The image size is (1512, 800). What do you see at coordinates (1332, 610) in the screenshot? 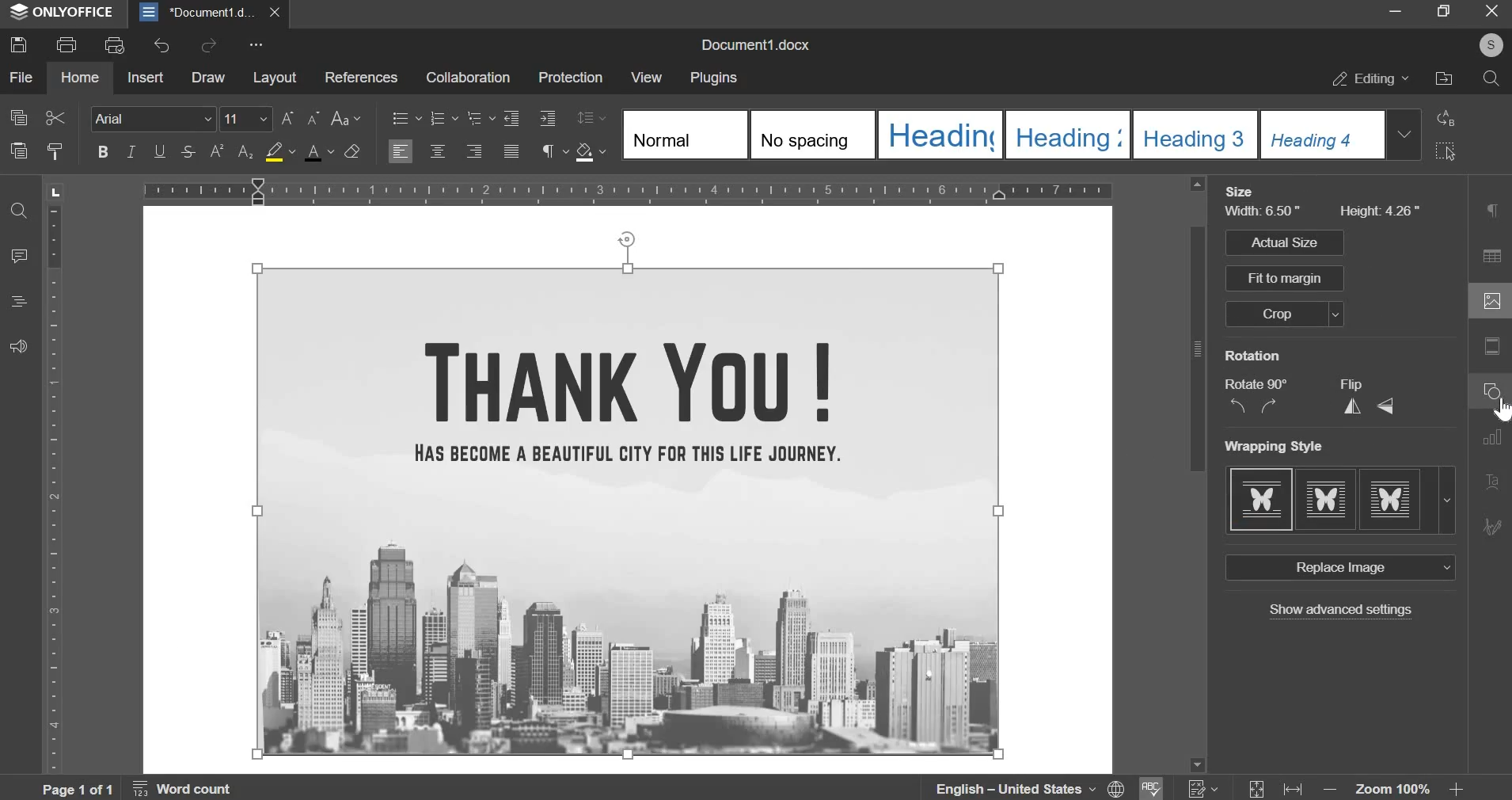
I see `show advanced settings` at bounding box center [1332, 610].